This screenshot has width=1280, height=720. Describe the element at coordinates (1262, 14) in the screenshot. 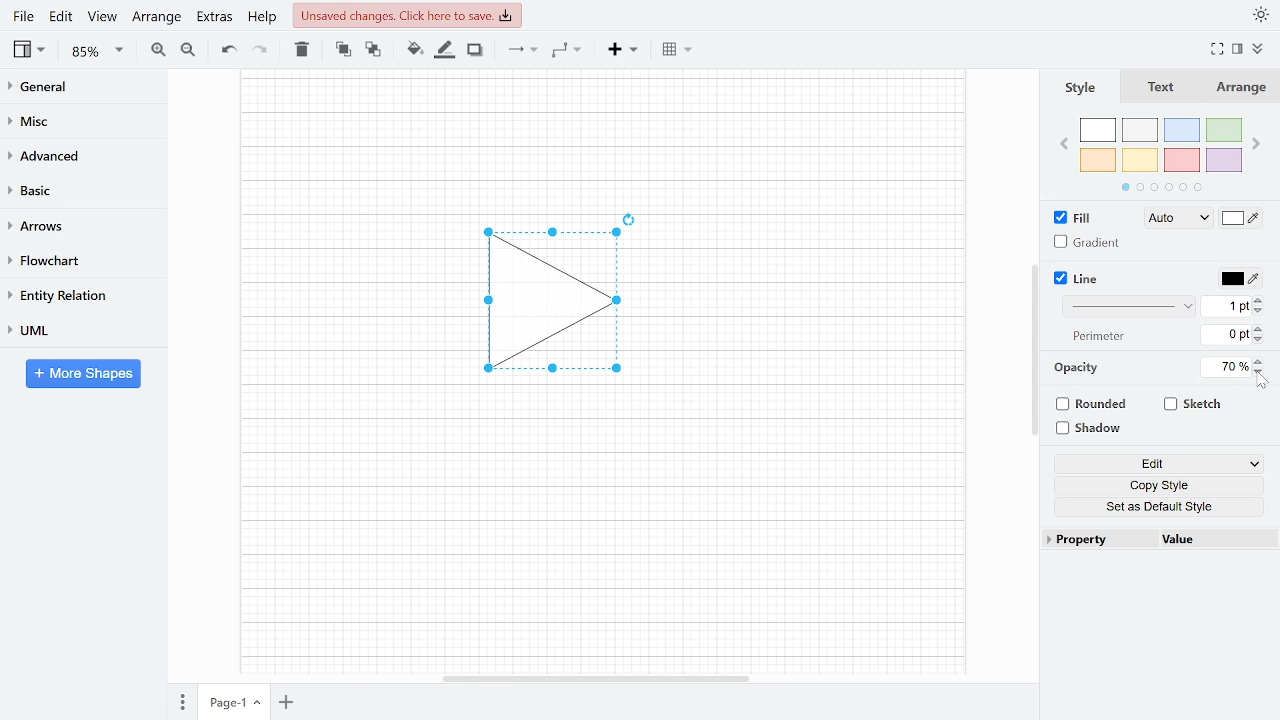

I see `Theme` at that location.